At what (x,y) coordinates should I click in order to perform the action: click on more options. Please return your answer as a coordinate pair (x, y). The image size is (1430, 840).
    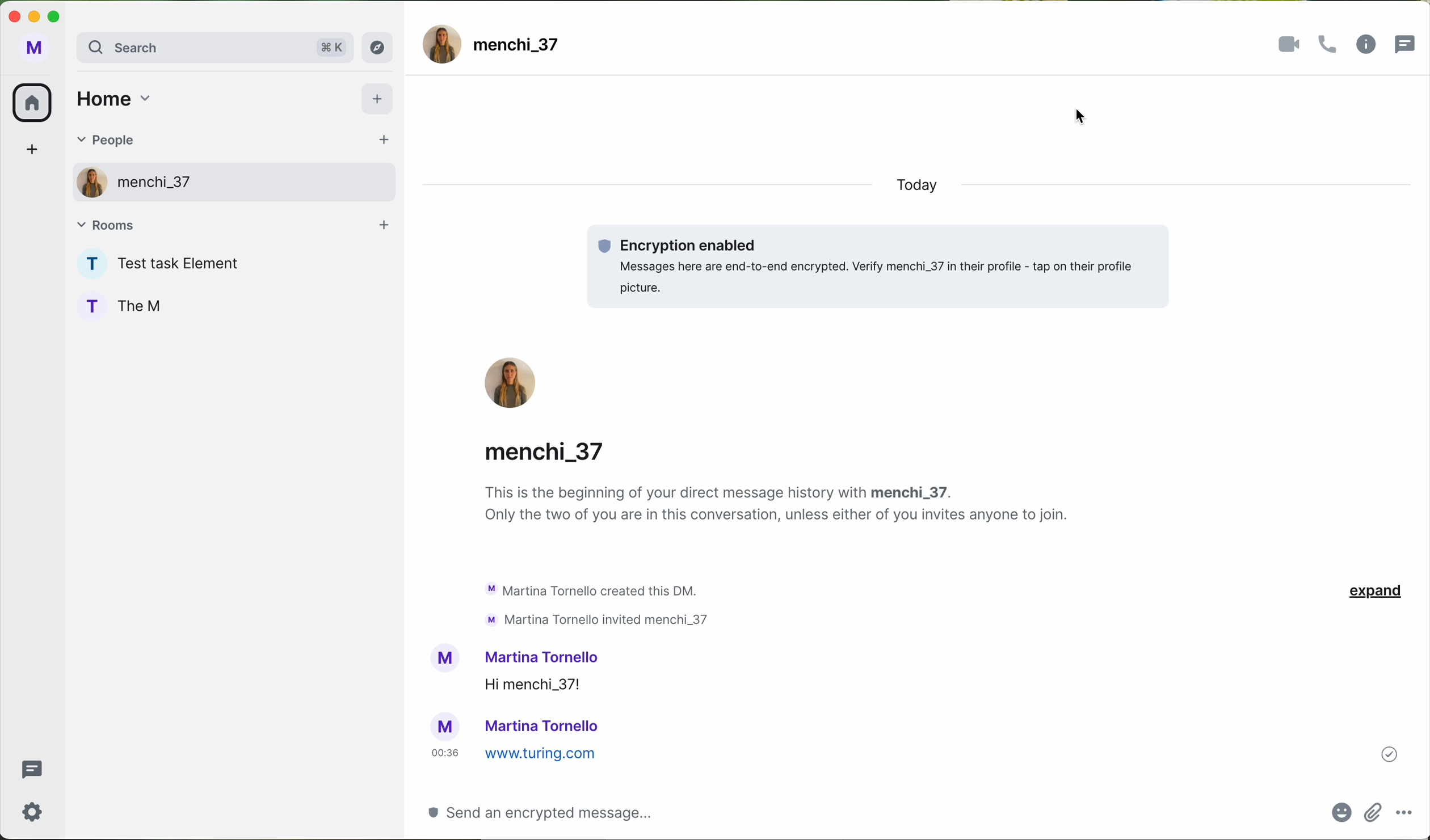
    Looking at the image, I should click on (1404, 811).